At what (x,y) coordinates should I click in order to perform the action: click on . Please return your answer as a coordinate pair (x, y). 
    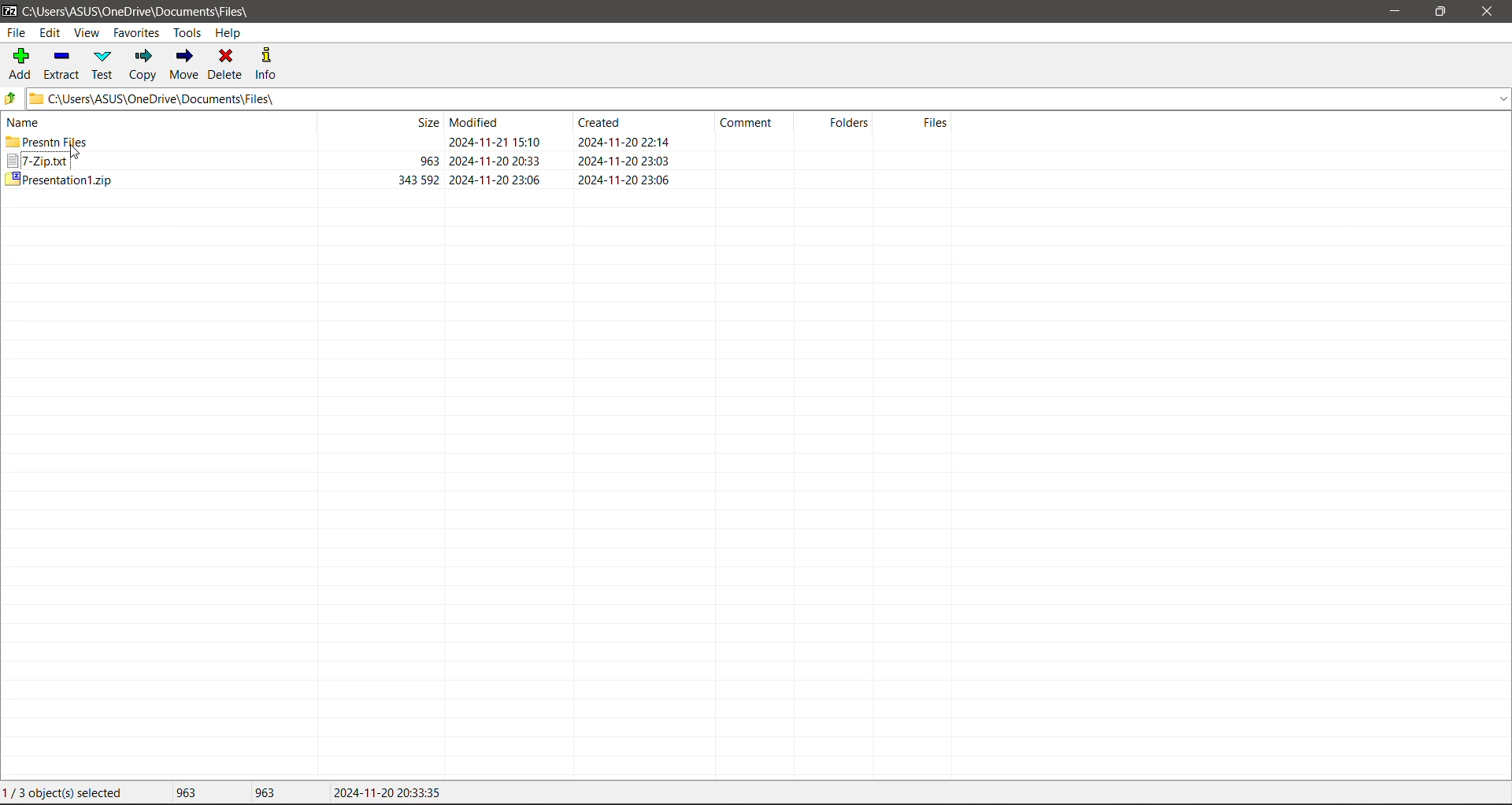
    Looking at the image, I should click on (472, 162).